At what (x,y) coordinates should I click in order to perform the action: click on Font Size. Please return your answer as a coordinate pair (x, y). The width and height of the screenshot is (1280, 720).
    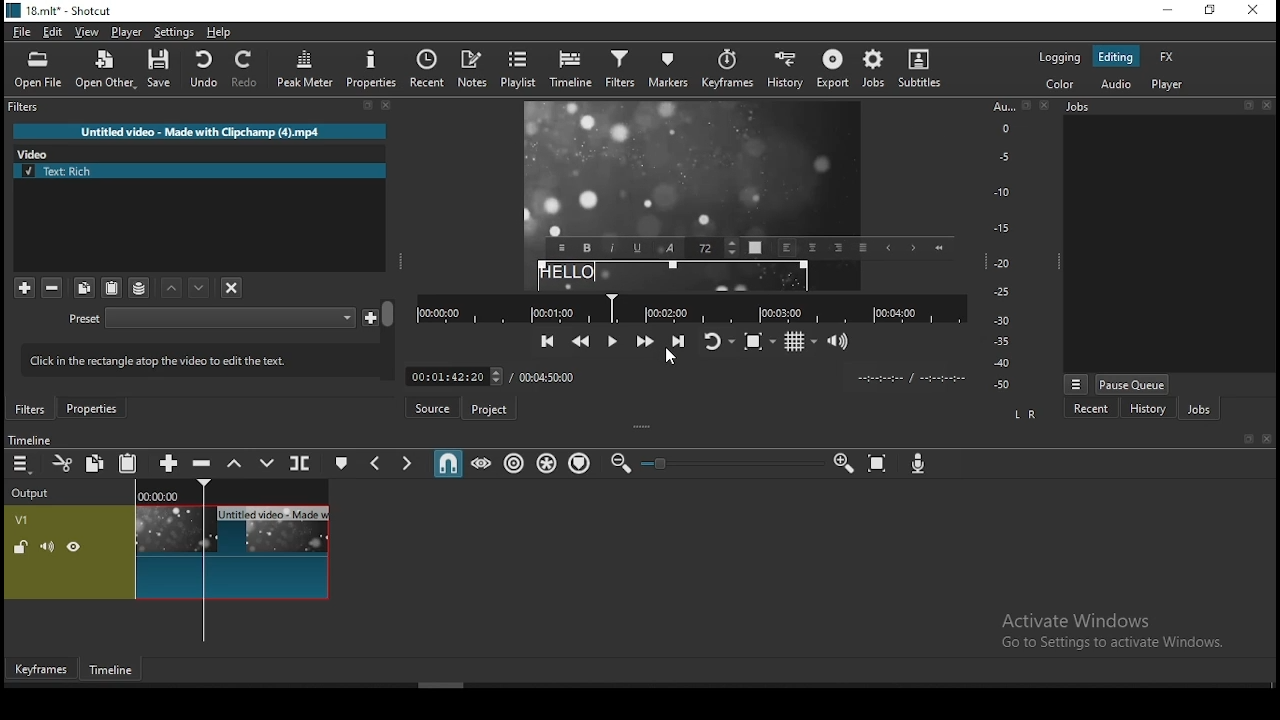
    Looking at the image, I should click on (714, 248).